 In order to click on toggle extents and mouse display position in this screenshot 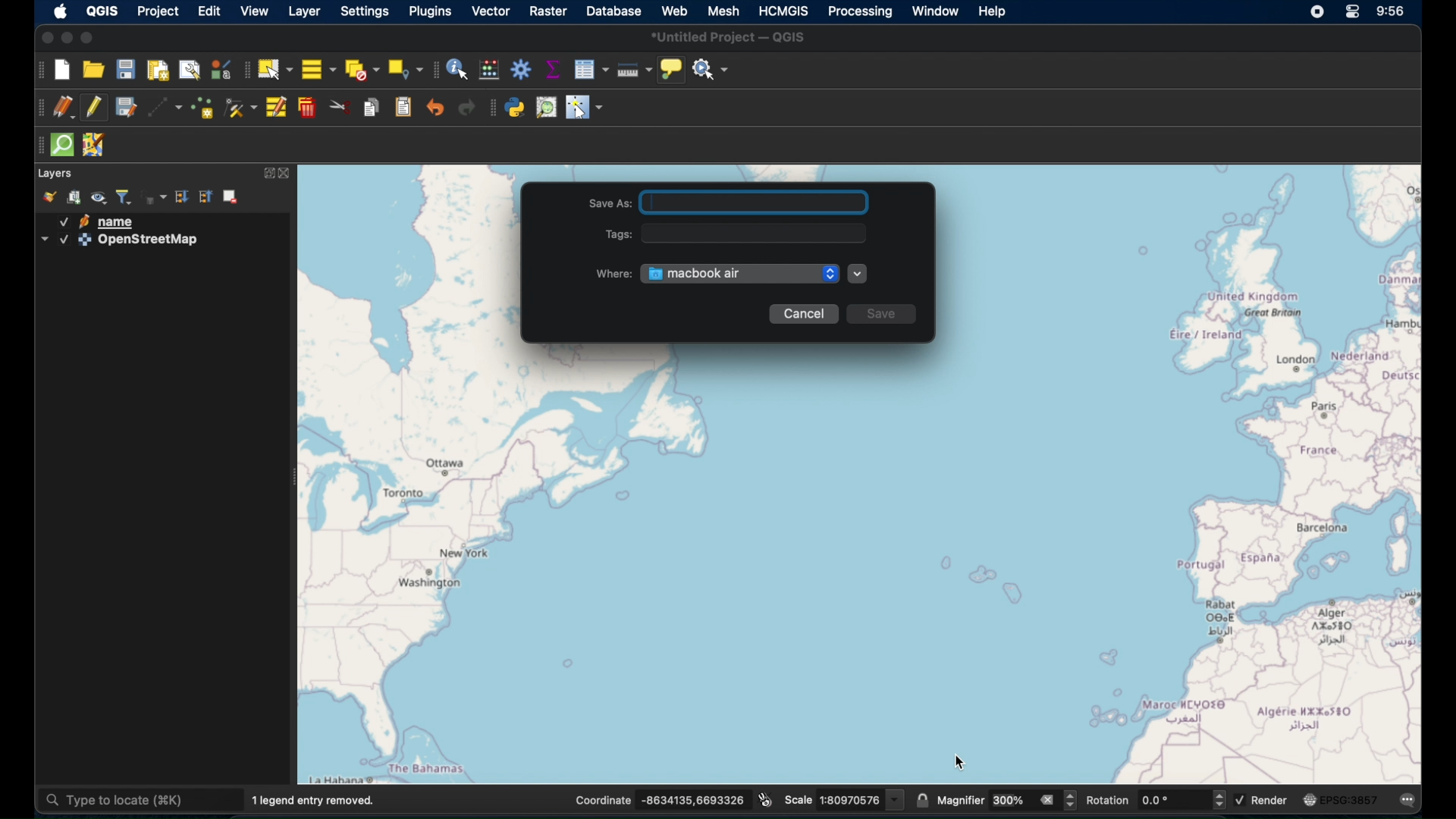, I will do `click(767, 799)`.